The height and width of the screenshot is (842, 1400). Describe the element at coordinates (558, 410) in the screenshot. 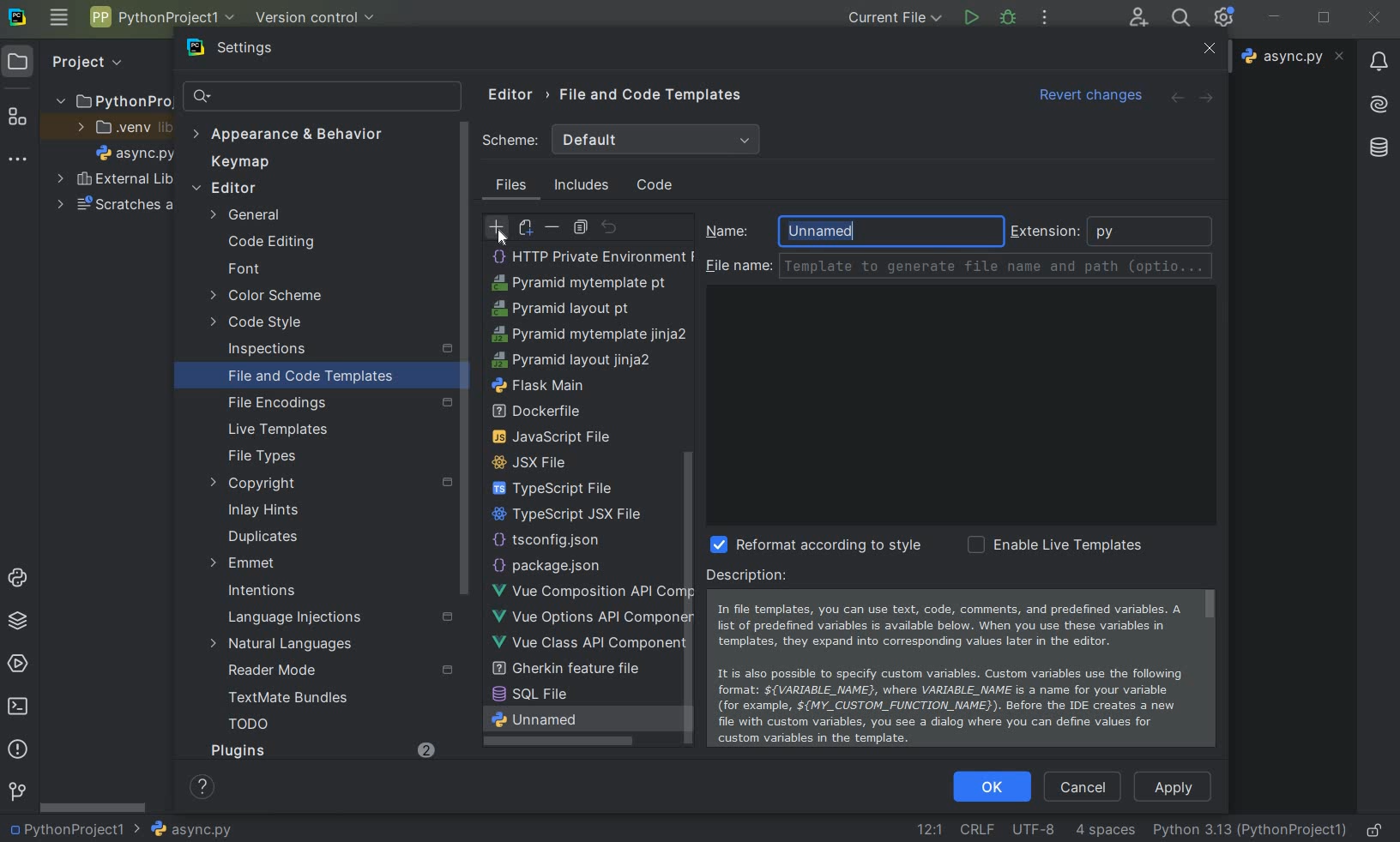

I see `python unit test` at that location.